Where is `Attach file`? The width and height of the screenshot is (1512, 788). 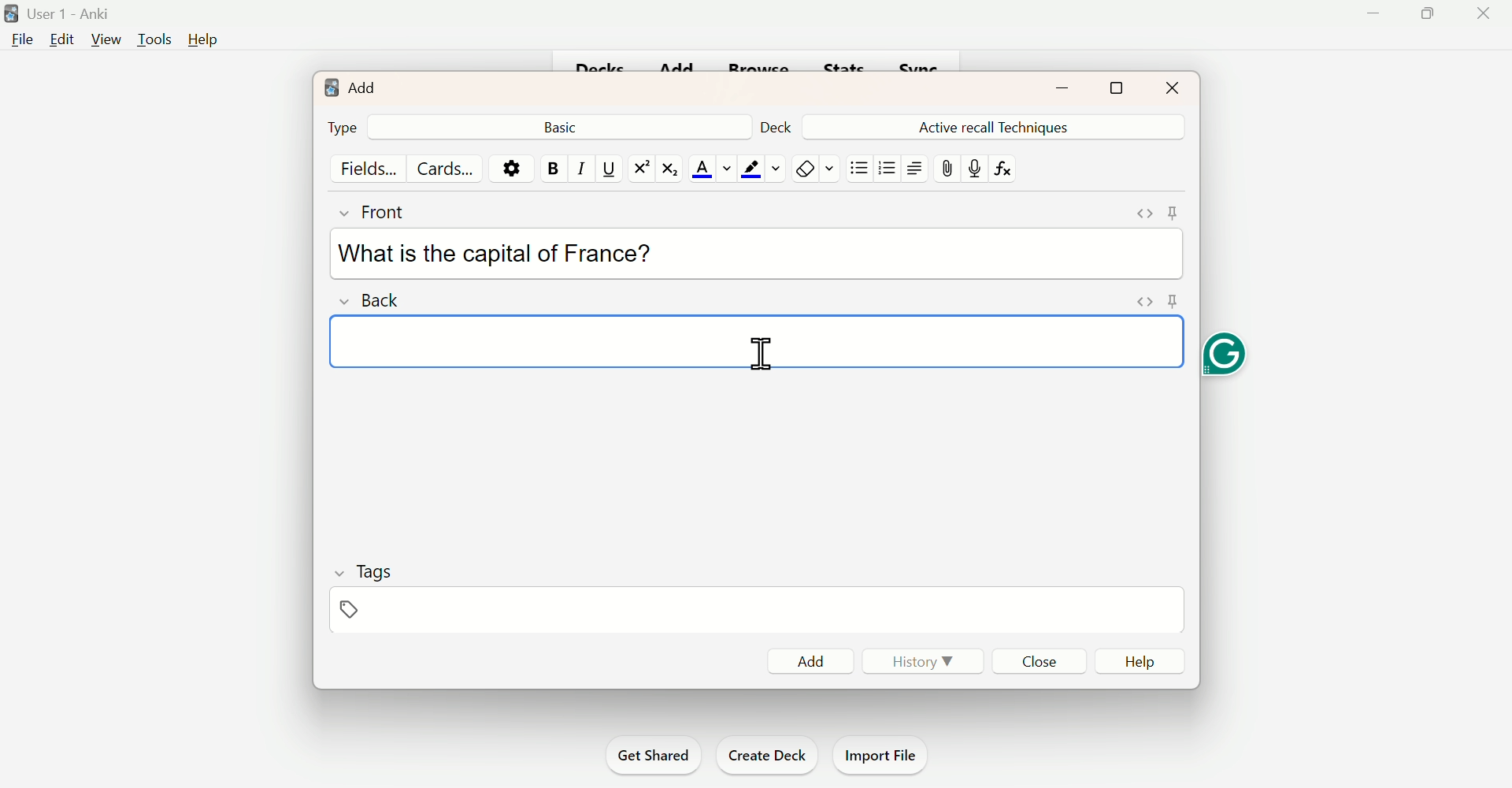
Attach file is located at coordinates (949, 170).